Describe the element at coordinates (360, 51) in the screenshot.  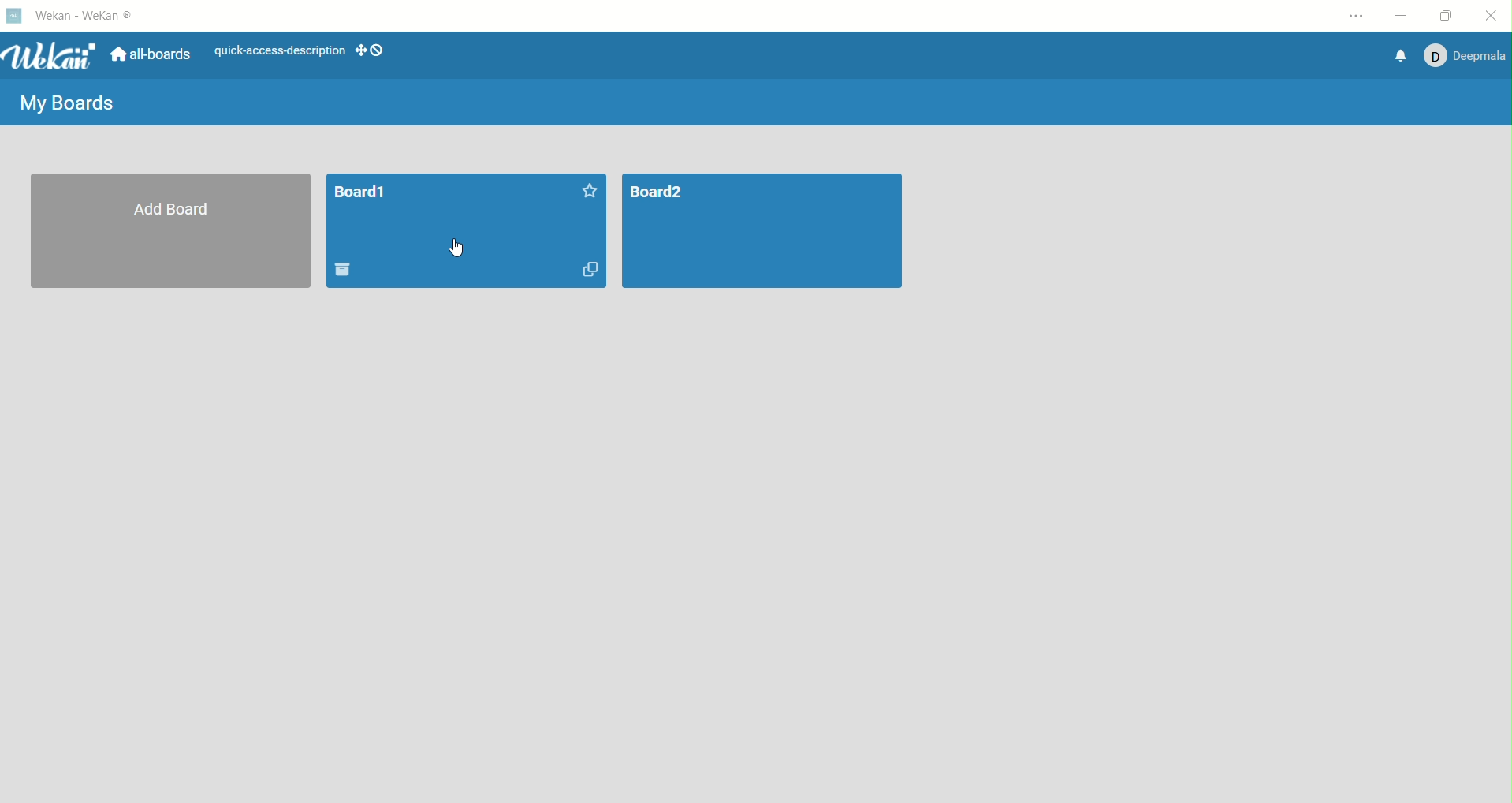
I see `show-desktop-drag-handles` at that location.